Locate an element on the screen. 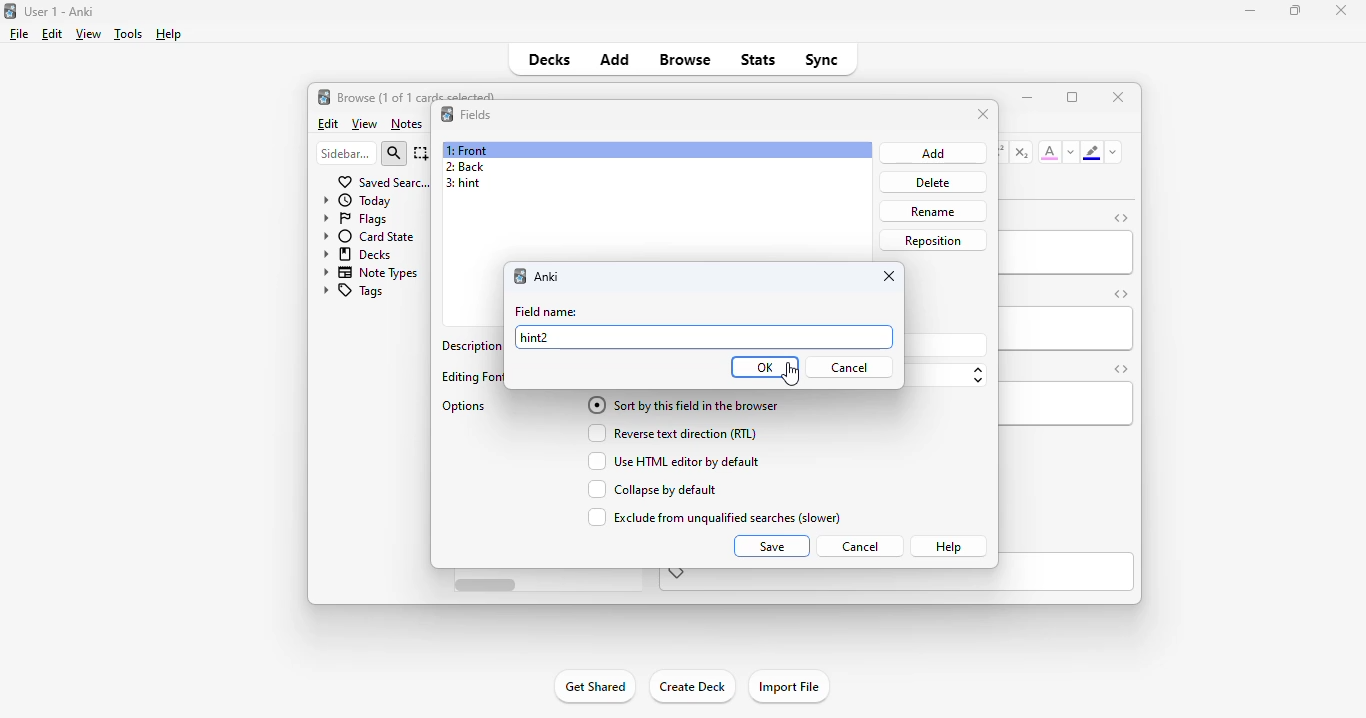 The width and height of the screenshot is (1366, 718). maximize is located at coordinates (1072, 97).